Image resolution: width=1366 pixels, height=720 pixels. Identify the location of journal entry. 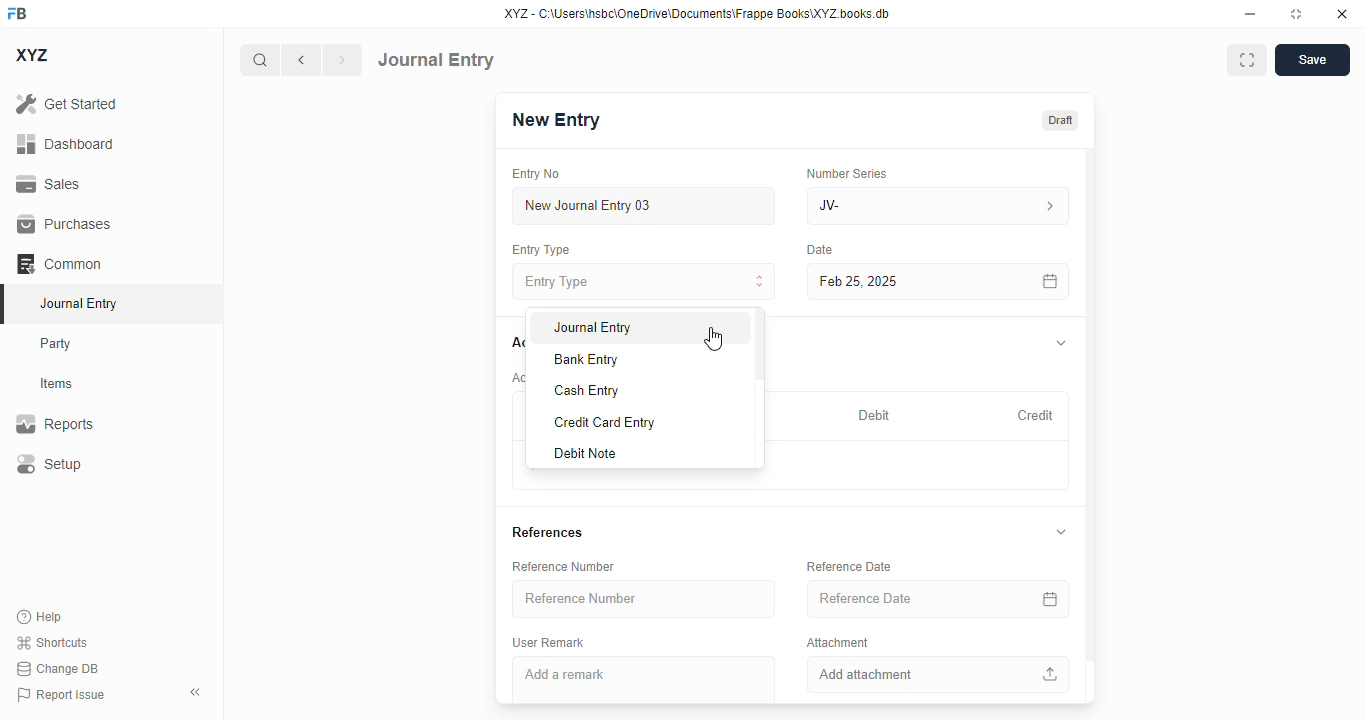
(77, 303).